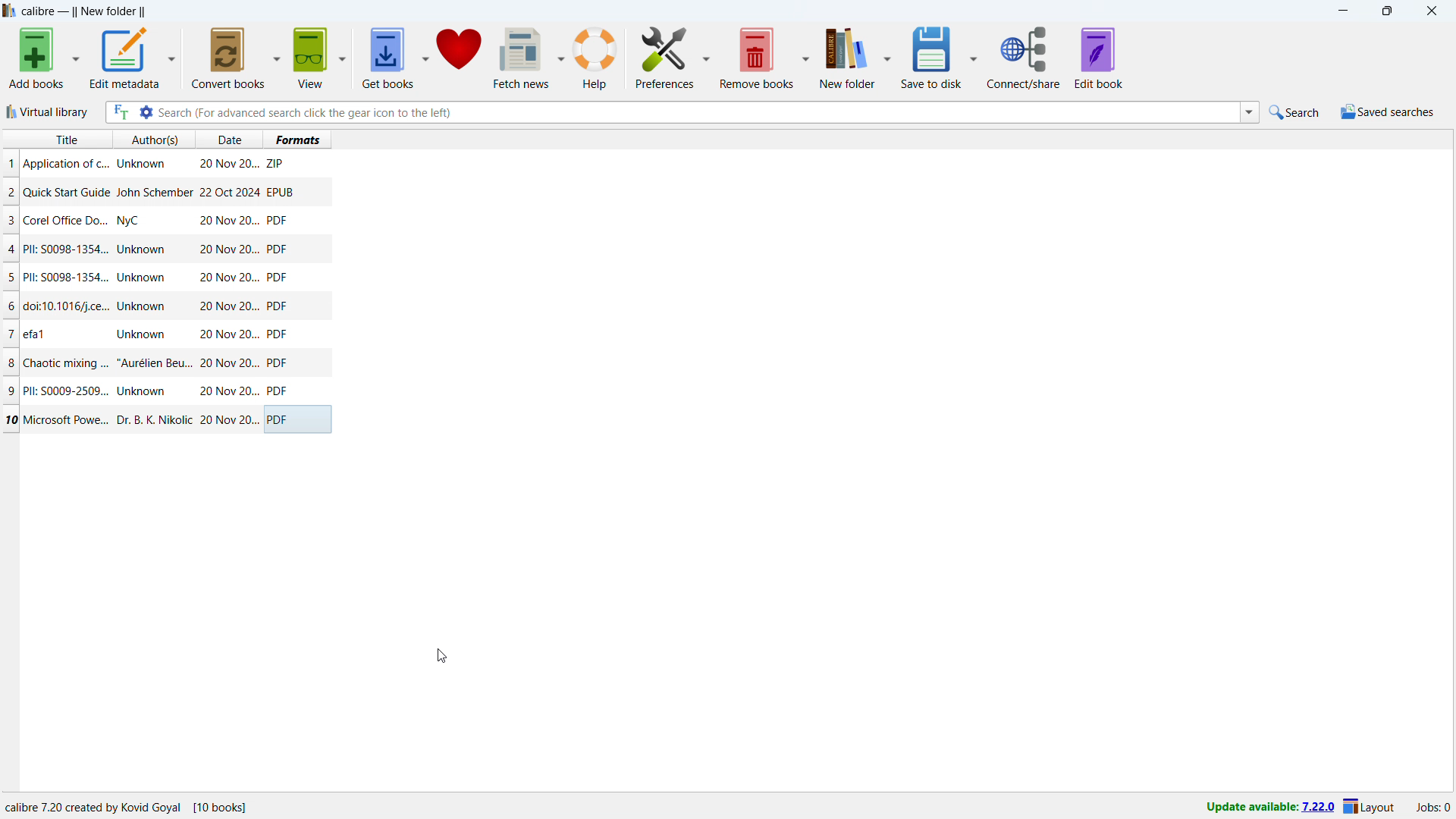 The width and height of the screenshot is (1456, 819). What do you see at coordinates (278, 334) in the screenshot?
I see `PDF` at bounding box center [278, 334].